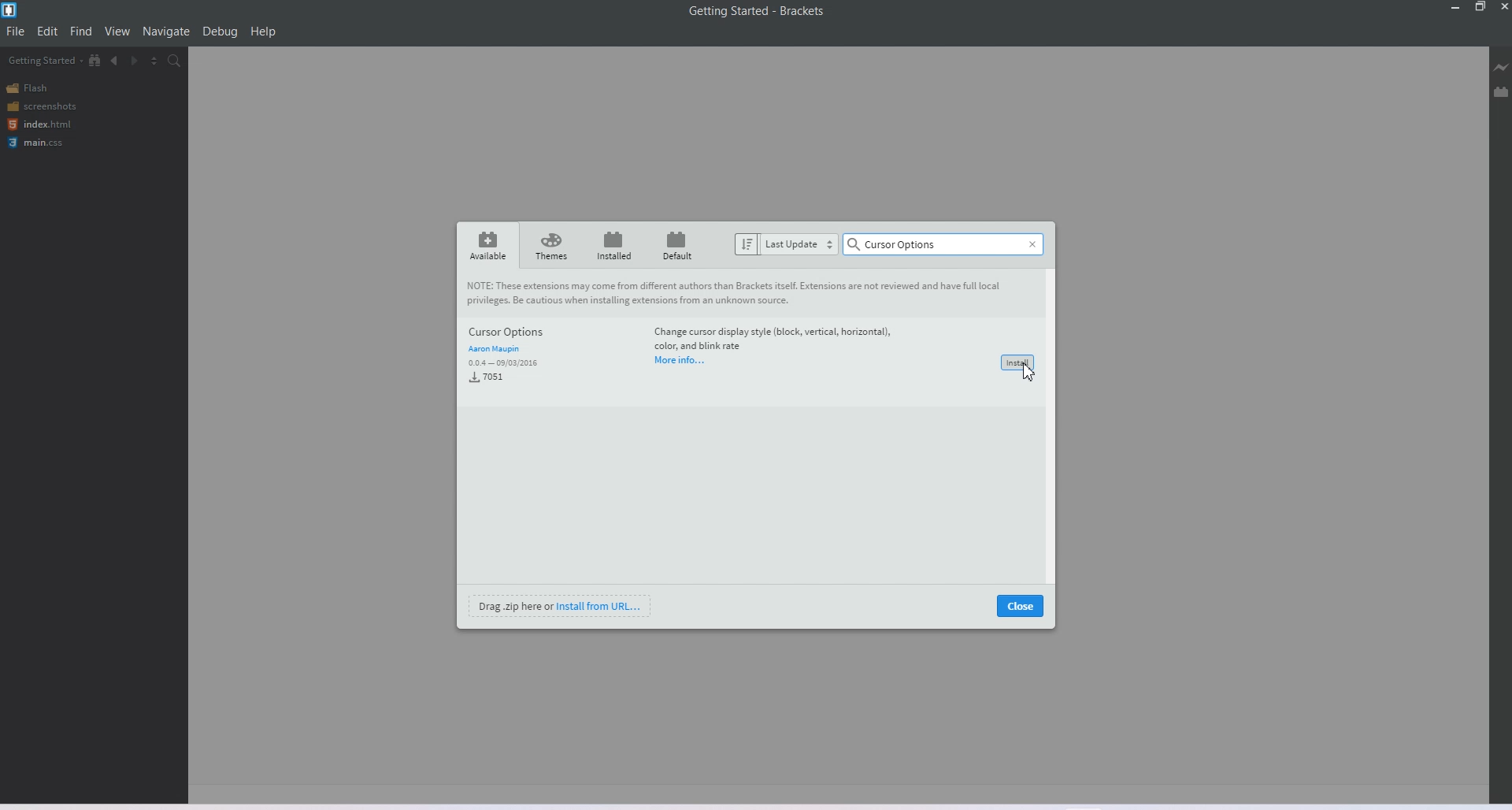 This screenshot has width=1512, height=810. Describe the element at coordinates (41, 106) in the screenshot. I see `Screenshots` at that location.